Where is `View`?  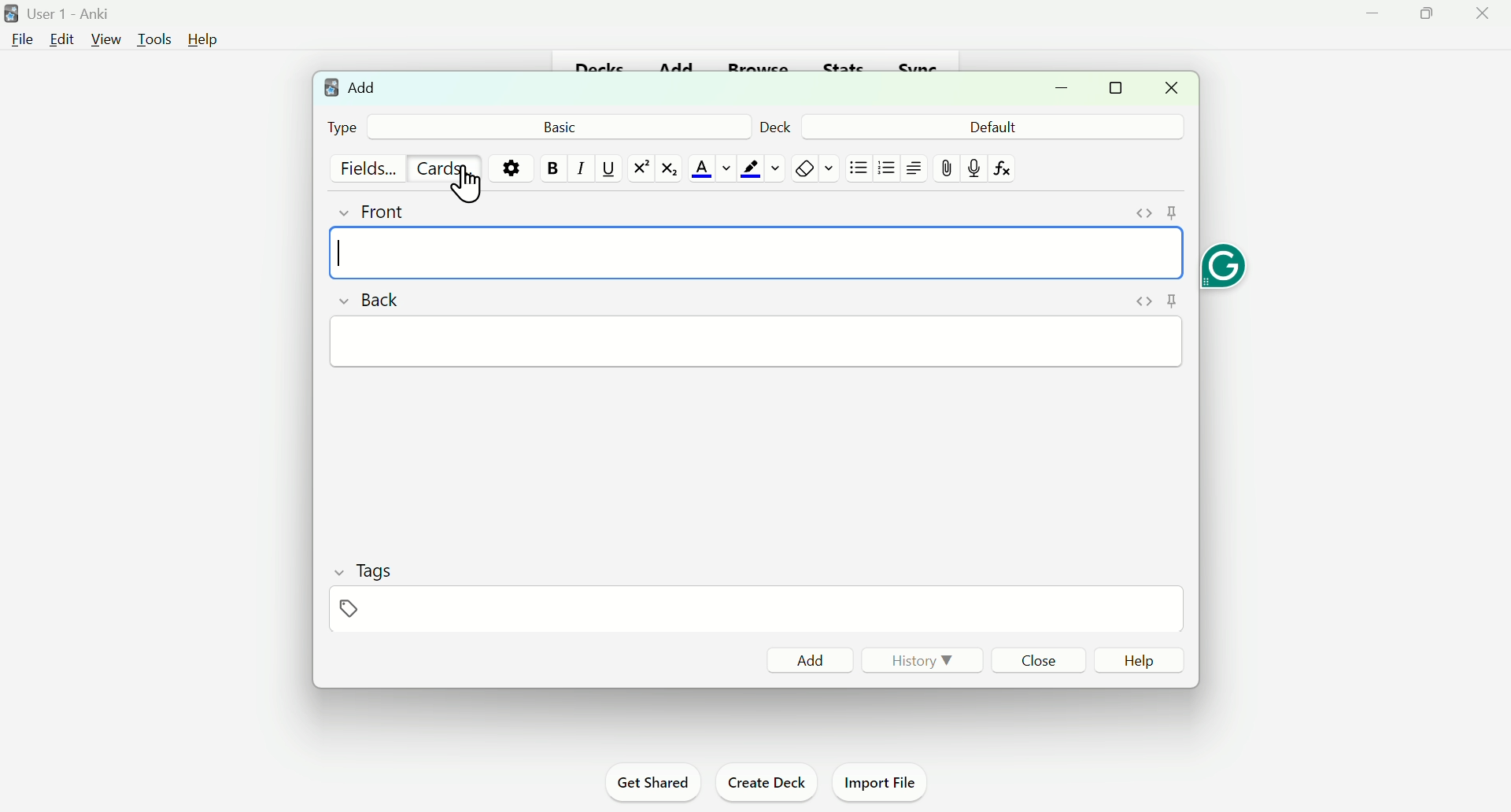
View is located at coordinates (106, 39).